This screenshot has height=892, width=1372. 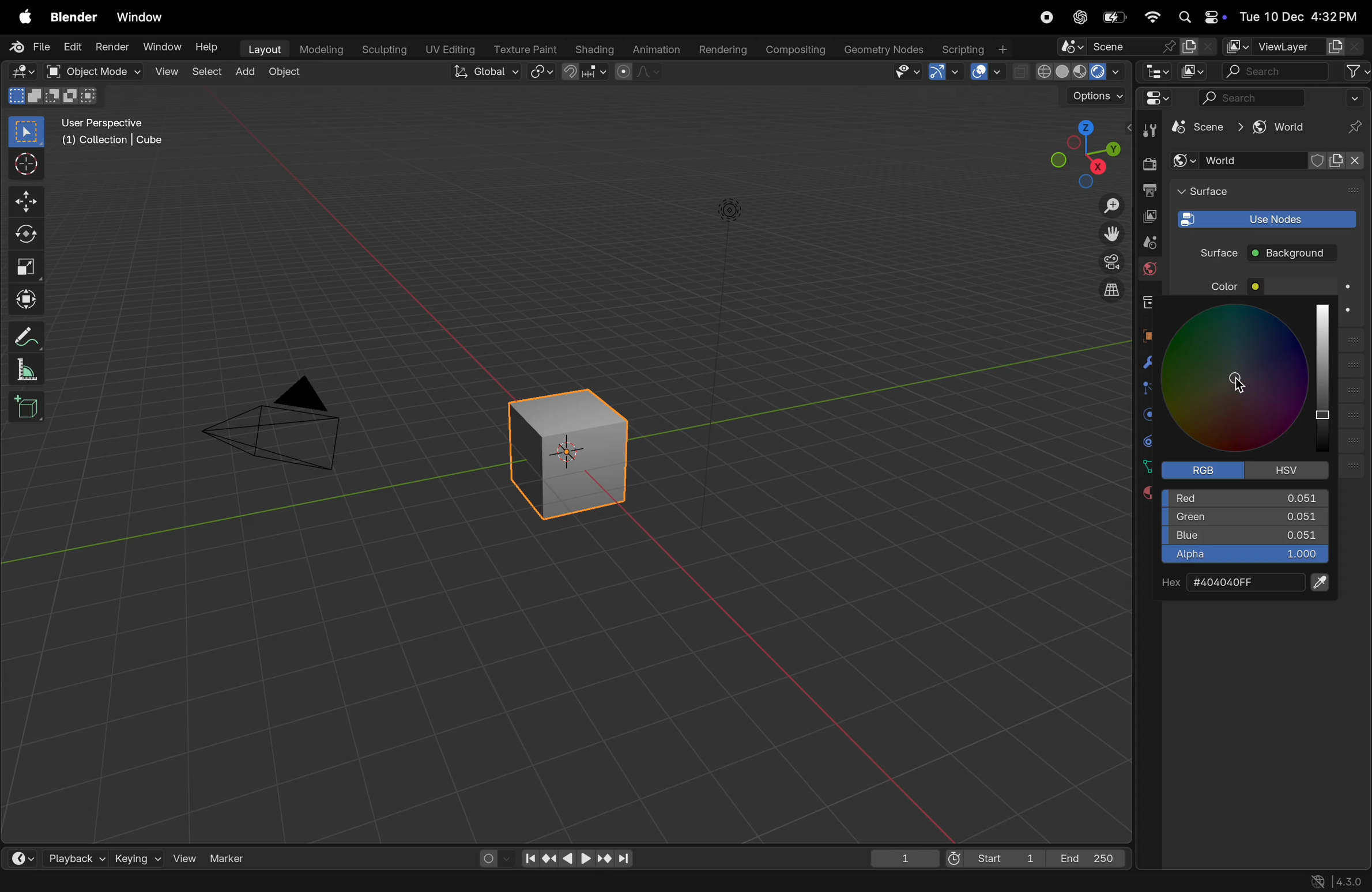 I want to click on - Use Nodes, so click(x=1265, y=218).